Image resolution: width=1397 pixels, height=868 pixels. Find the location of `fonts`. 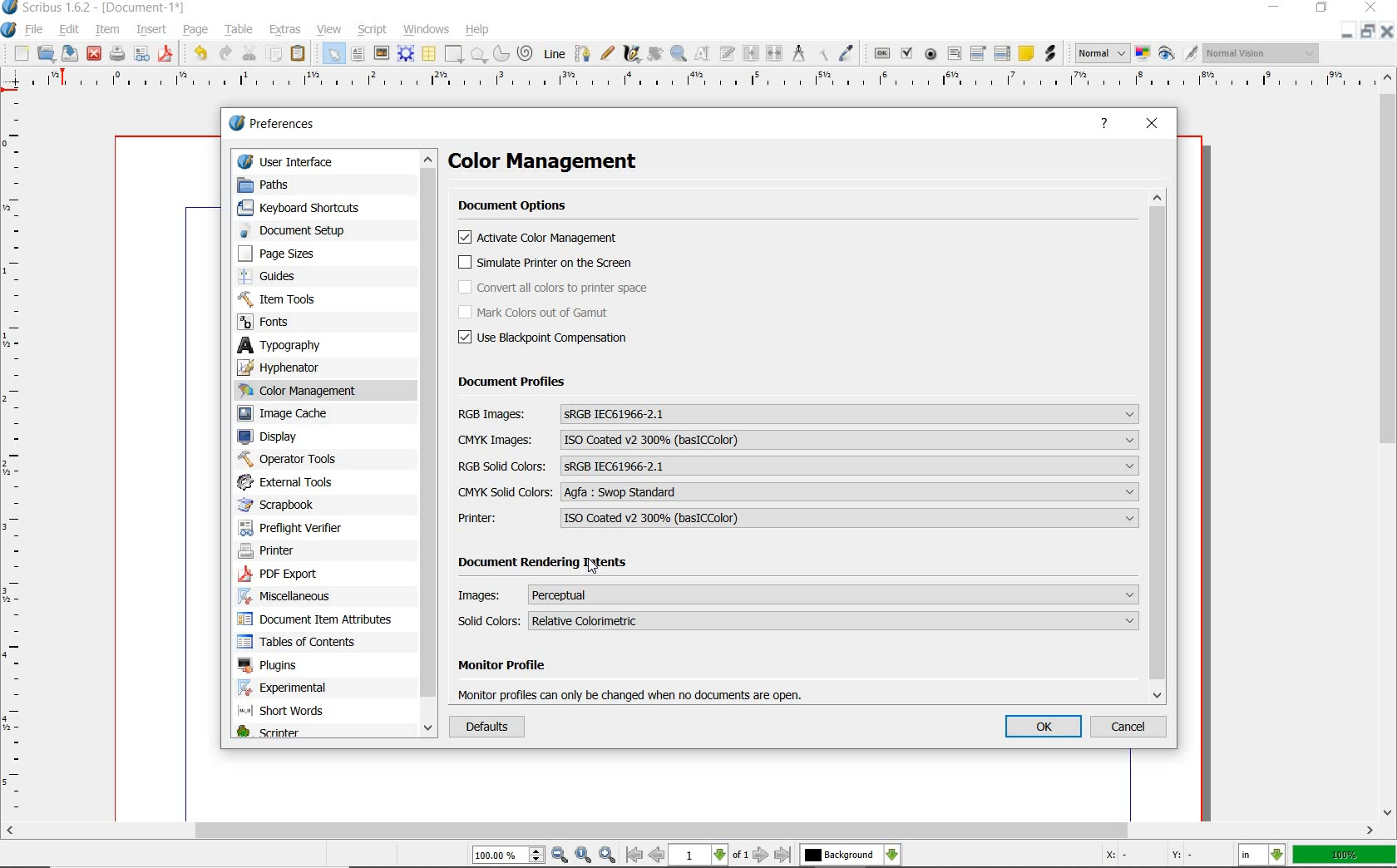

fonts is located at coordinates (295, 321).